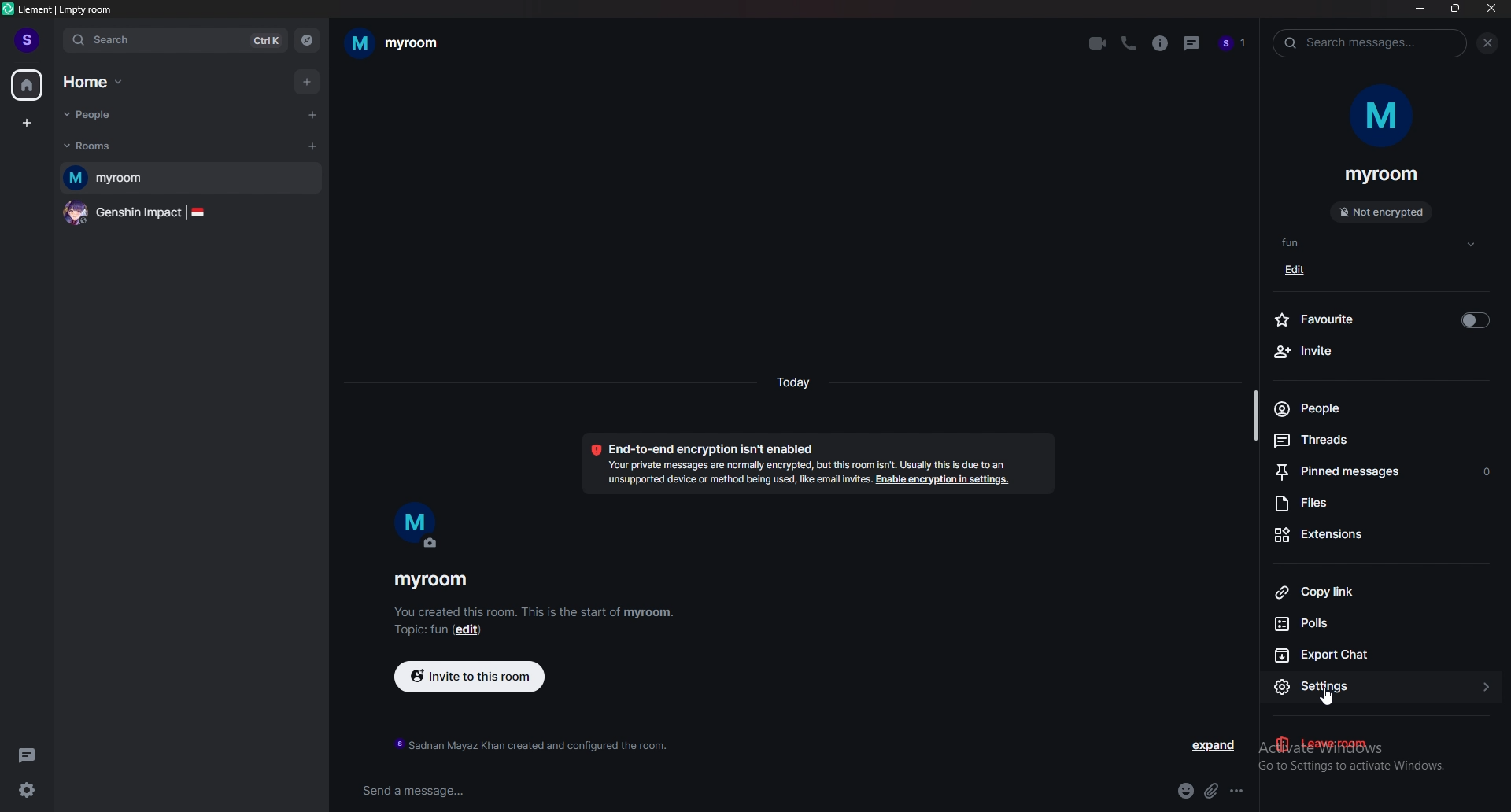  I want to click on create a space, so click(25, 125).